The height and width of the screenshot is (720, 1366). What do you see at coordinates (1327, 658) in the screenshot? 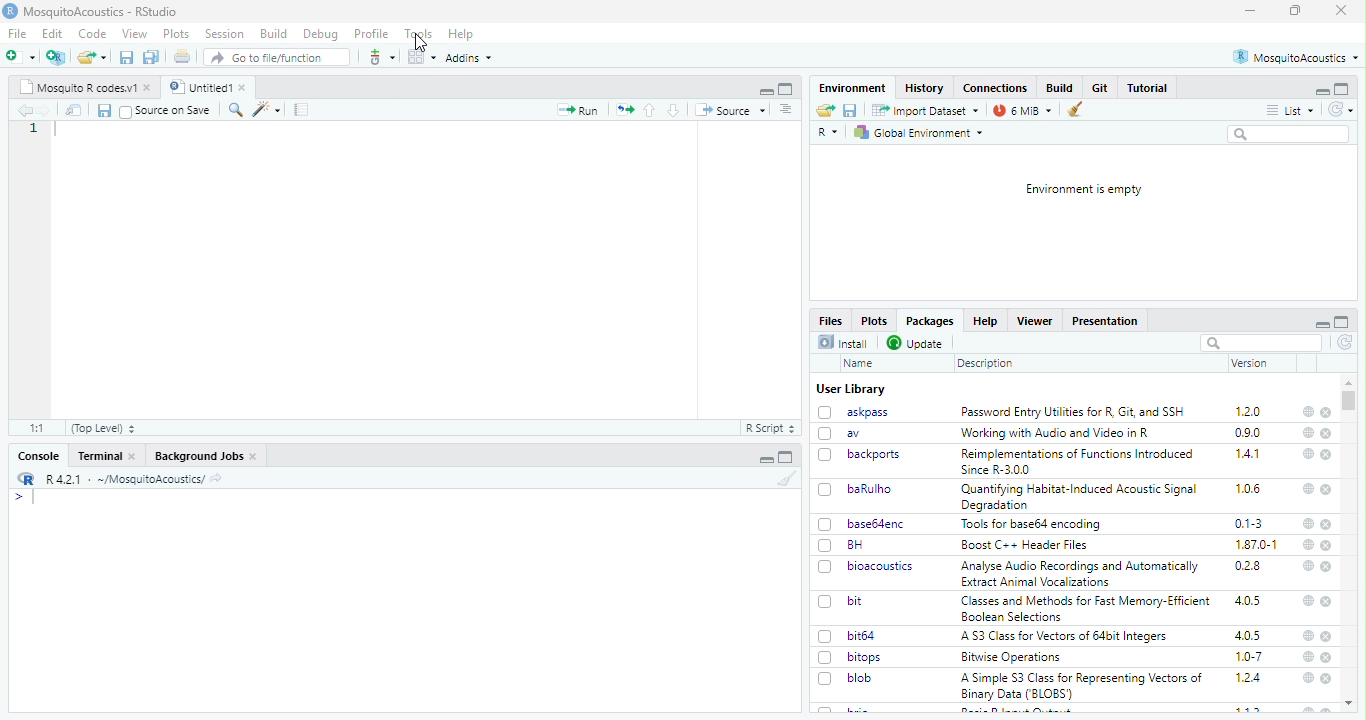
I see `close` at bounding box center [1327, 658].